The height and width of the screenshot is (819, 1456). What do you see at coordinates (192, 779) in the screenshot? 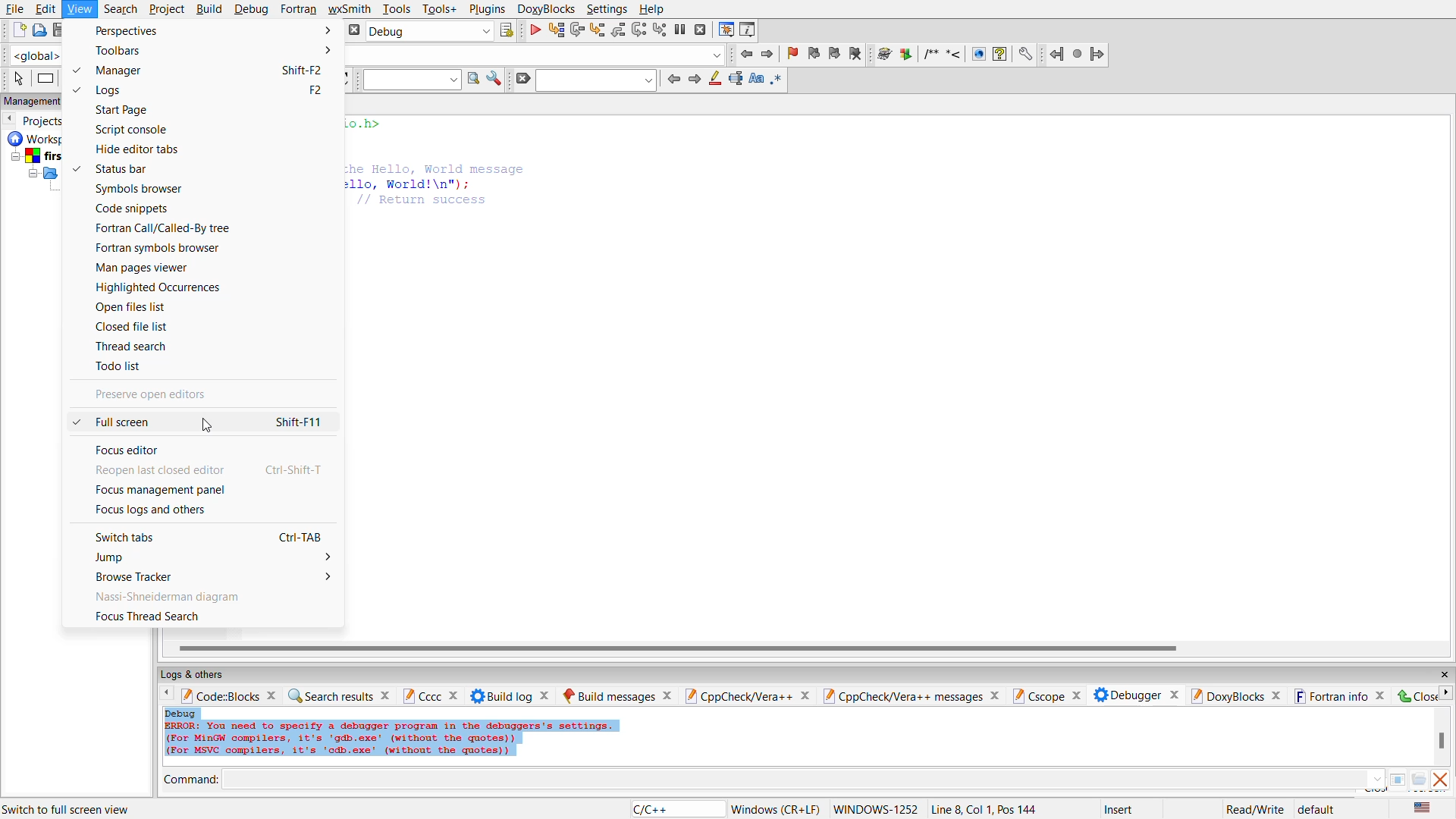
I see `command` at bounding box center [192, 779].